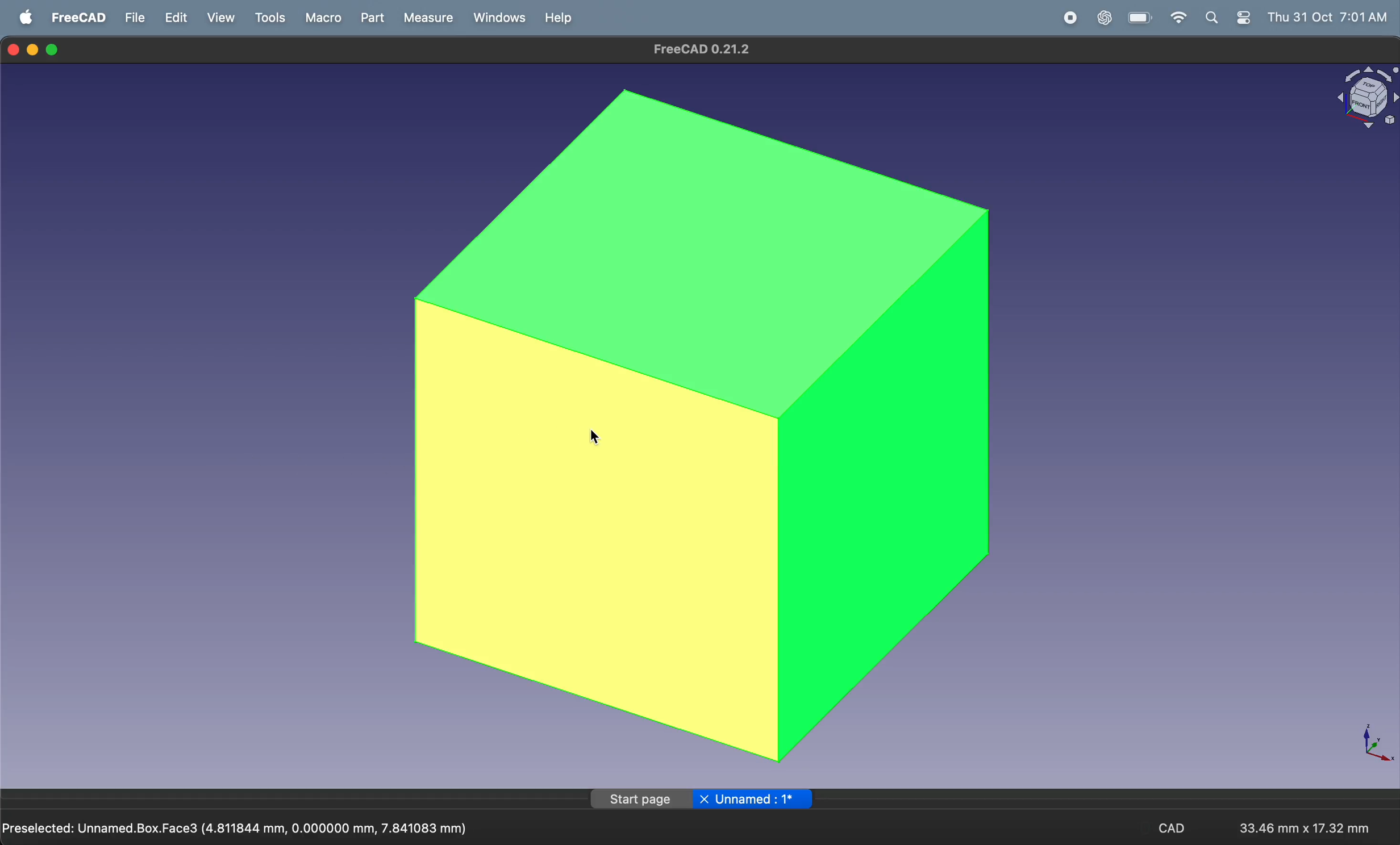 This screenshot has width=1400, height=845. What do you see at coordinates (1229, 18) in the screenshot?
I see `apple widgets` at bounding box center [1229, 18].